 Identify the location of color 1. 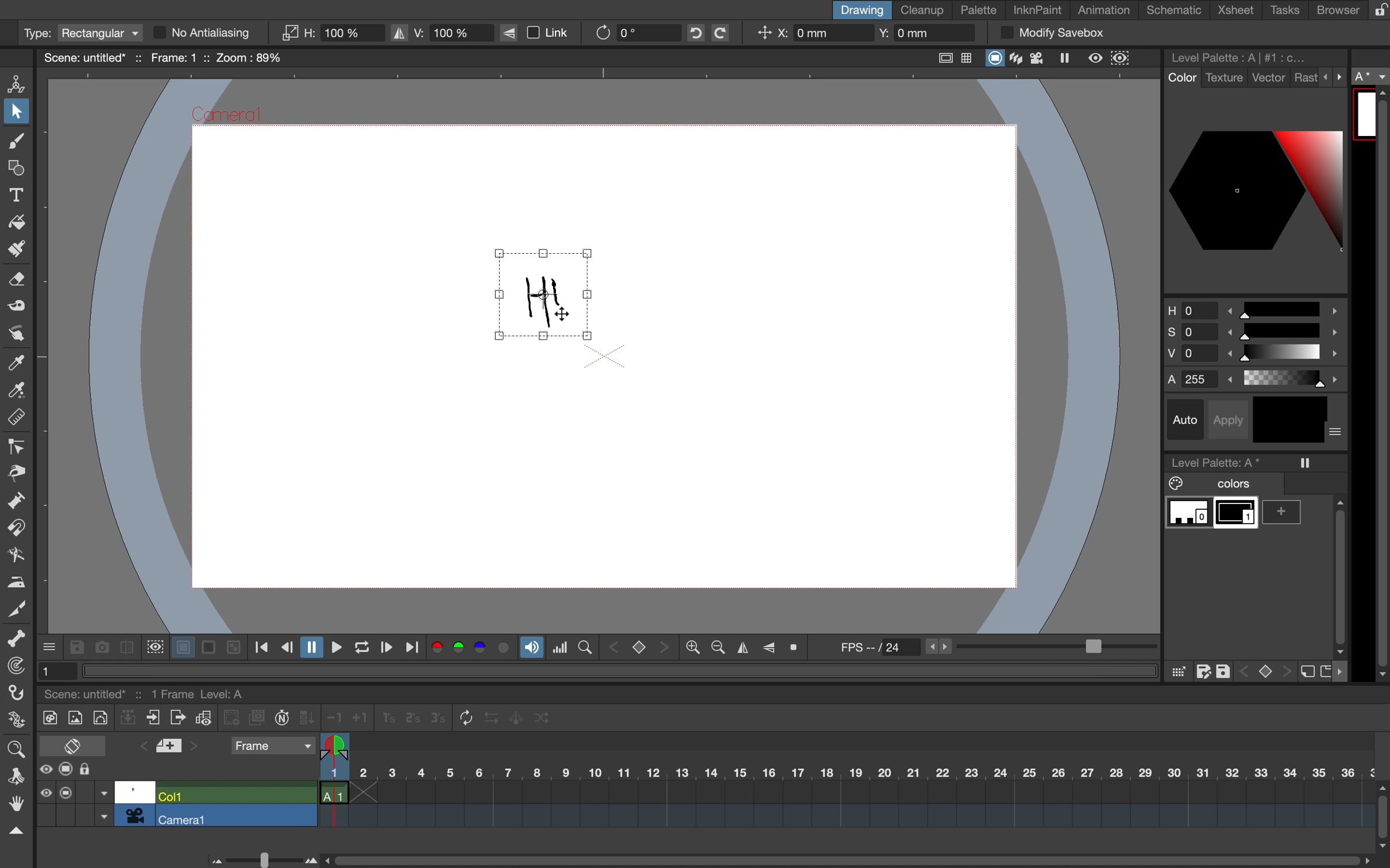
(1237, 515).